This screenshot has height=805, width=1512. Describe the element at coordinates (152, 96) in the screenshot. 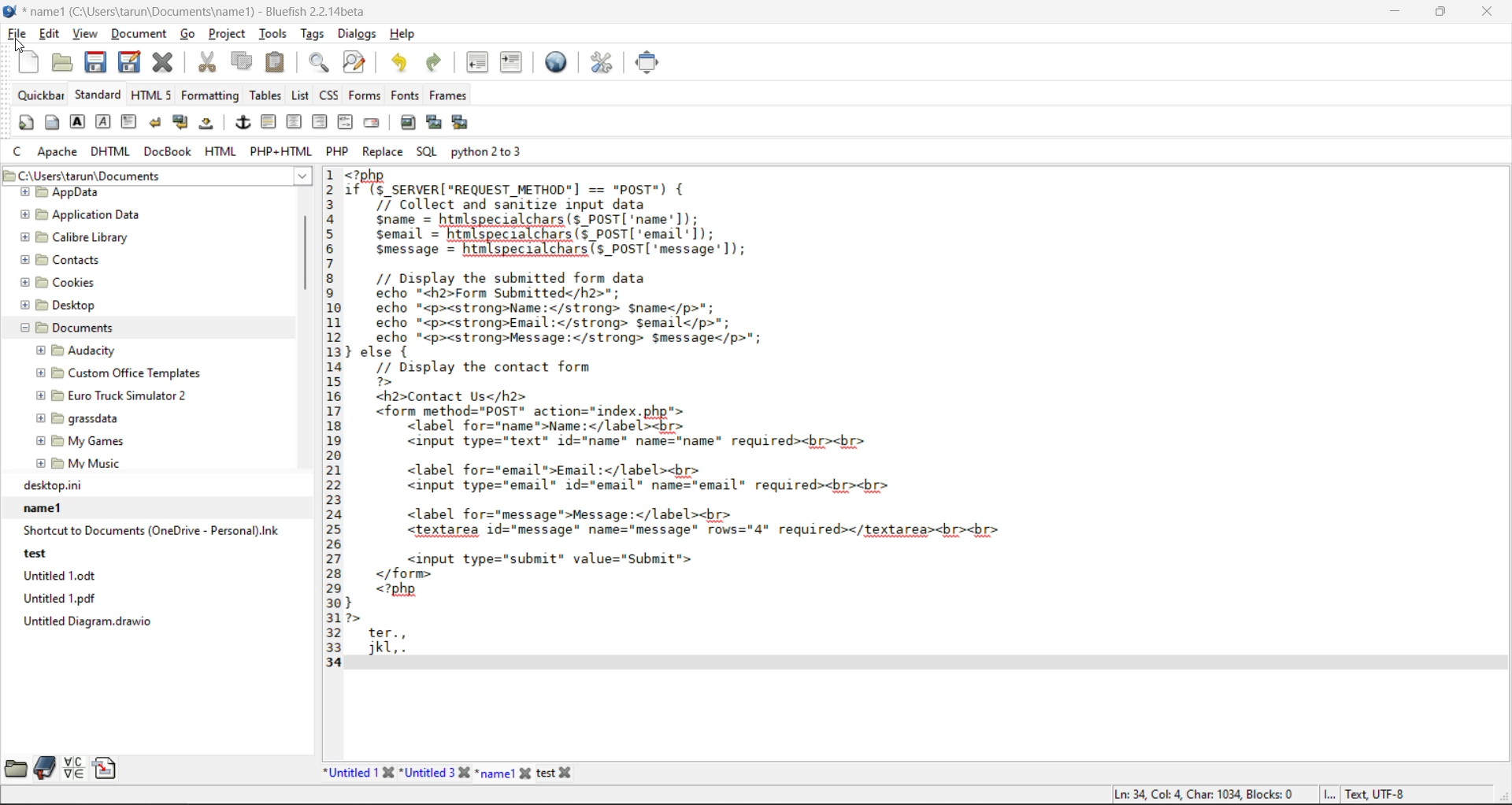

I see `html5` at that location.